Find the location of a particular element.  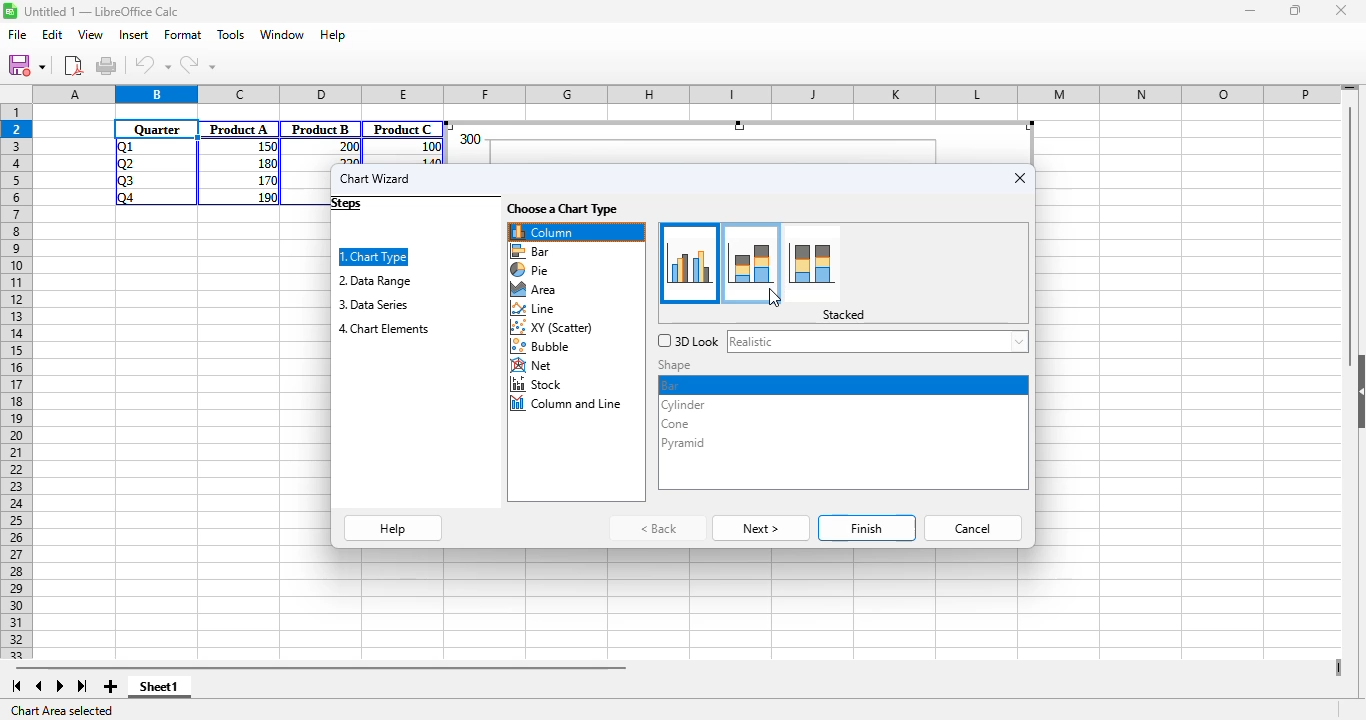

cylinder is located at coordinates (683, 405).